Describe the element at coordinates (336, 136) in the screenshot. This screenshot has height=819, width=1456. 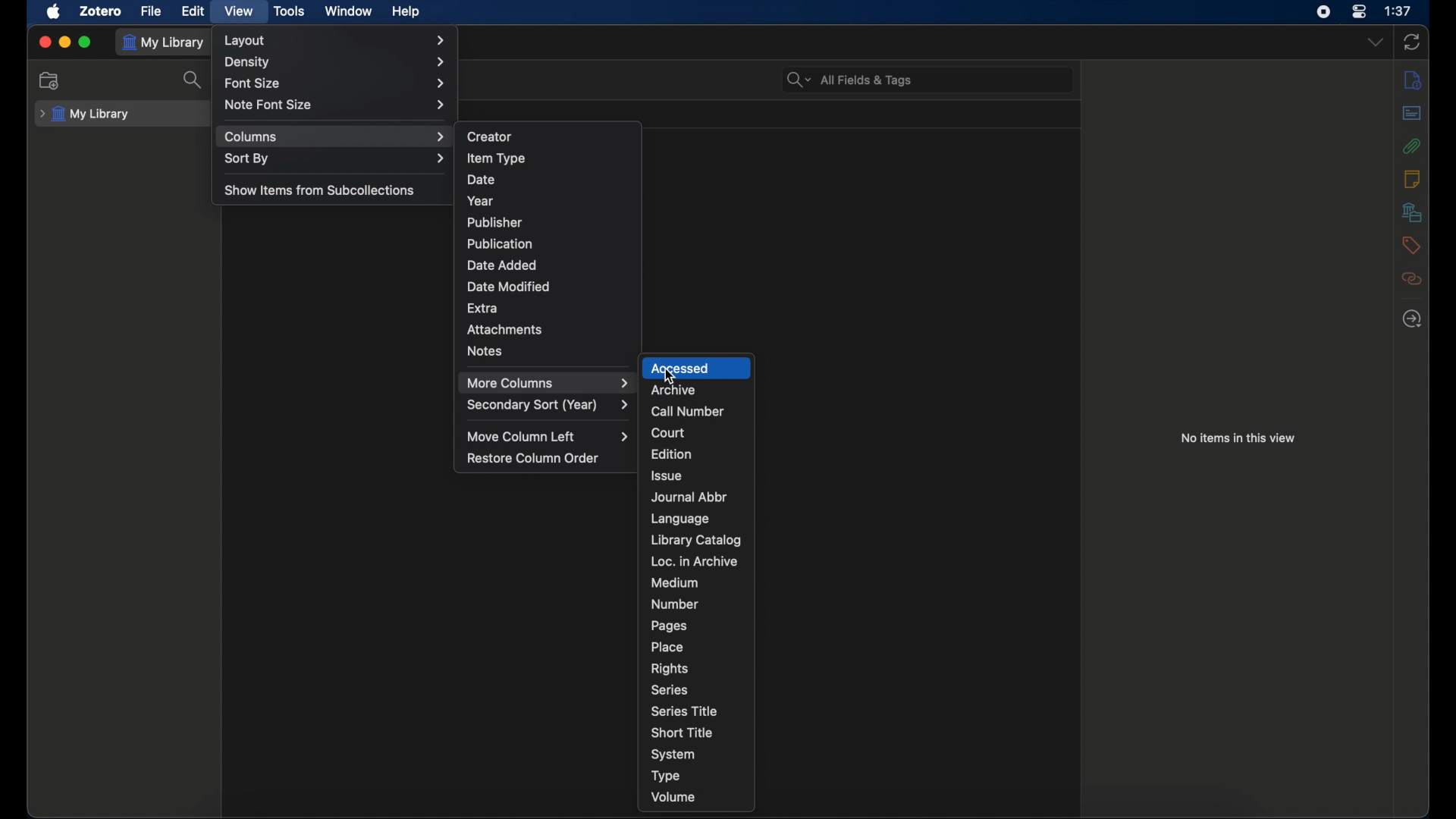
I see `columns` at that location.